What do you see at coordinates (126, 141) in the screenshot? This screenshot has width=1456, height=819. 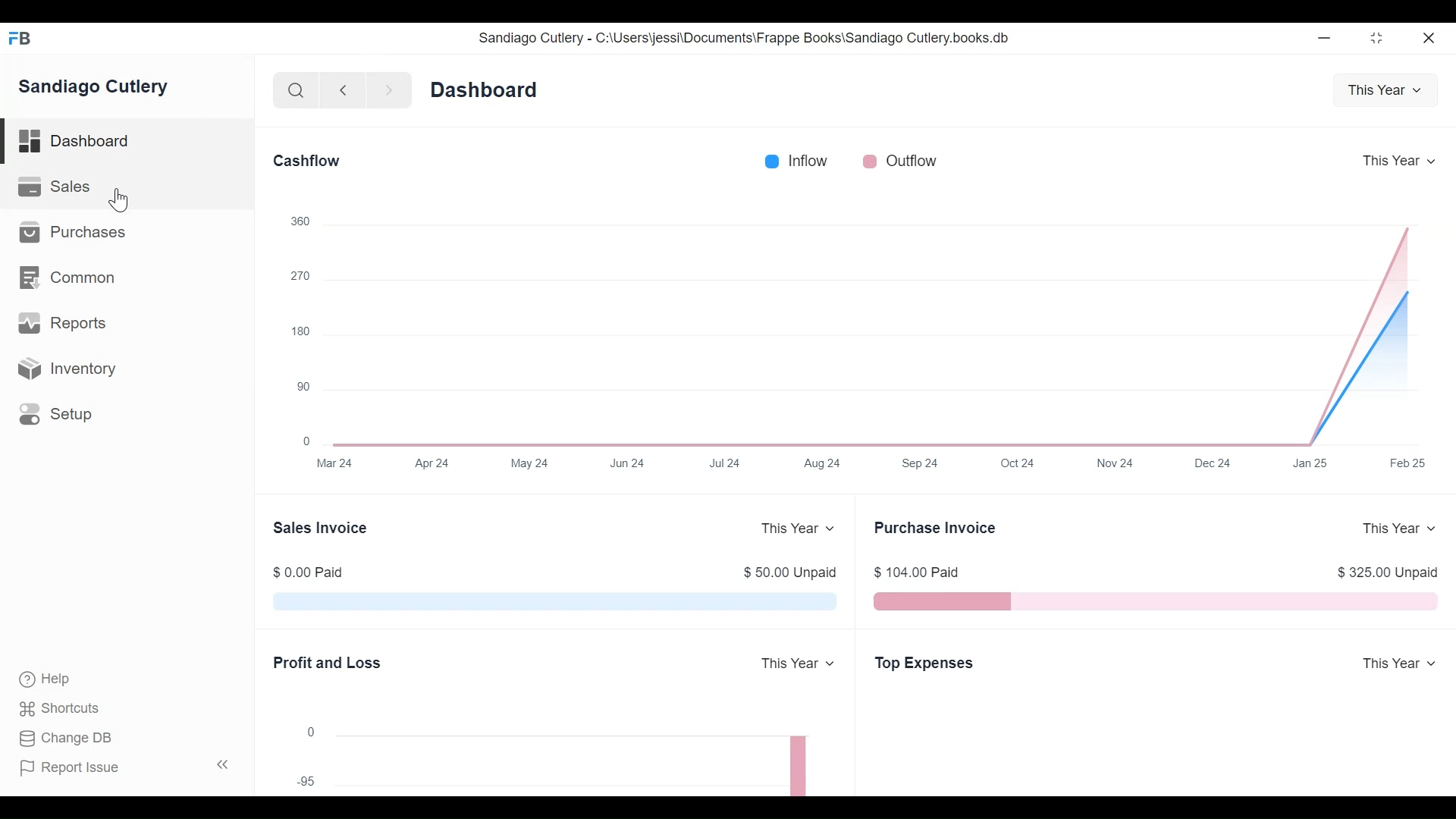 I see `Dashboard` at bounding box center [126, 141].